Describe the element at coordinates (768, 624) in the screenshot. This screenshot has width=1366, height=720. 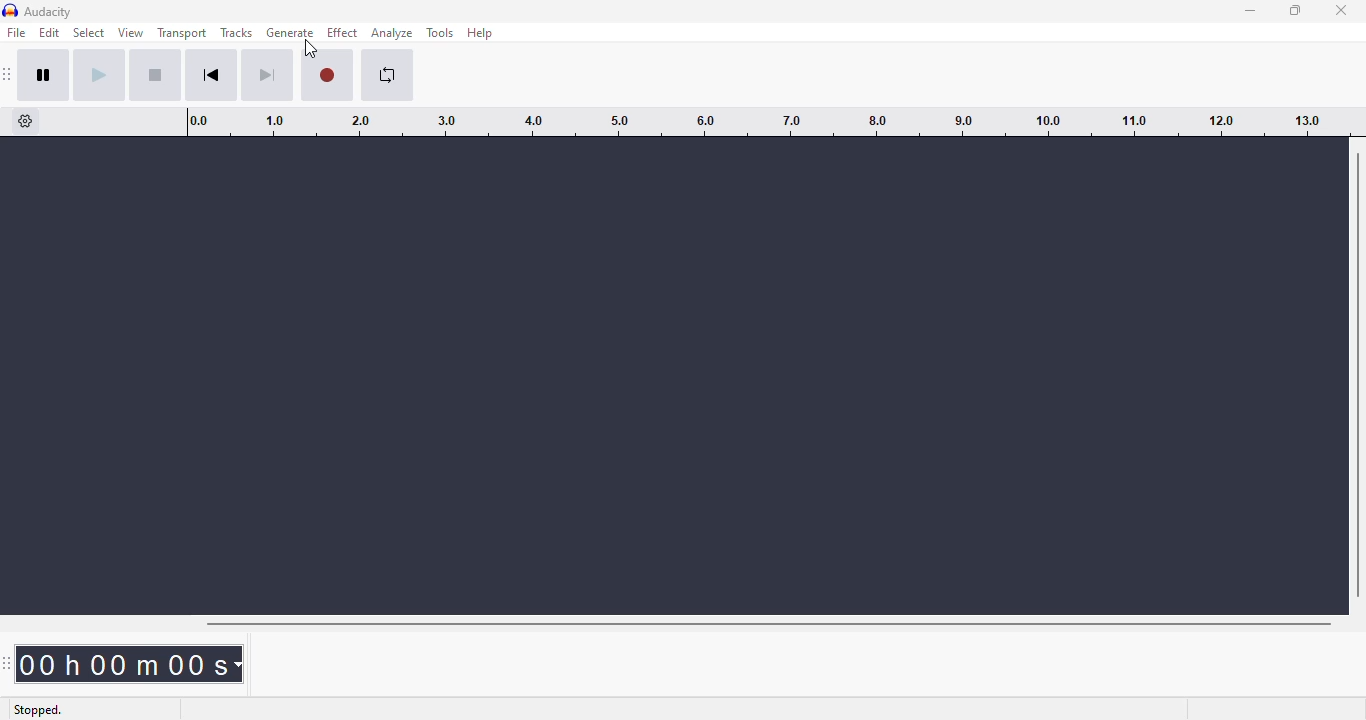
I see `horizontal scroll bar` at that location.